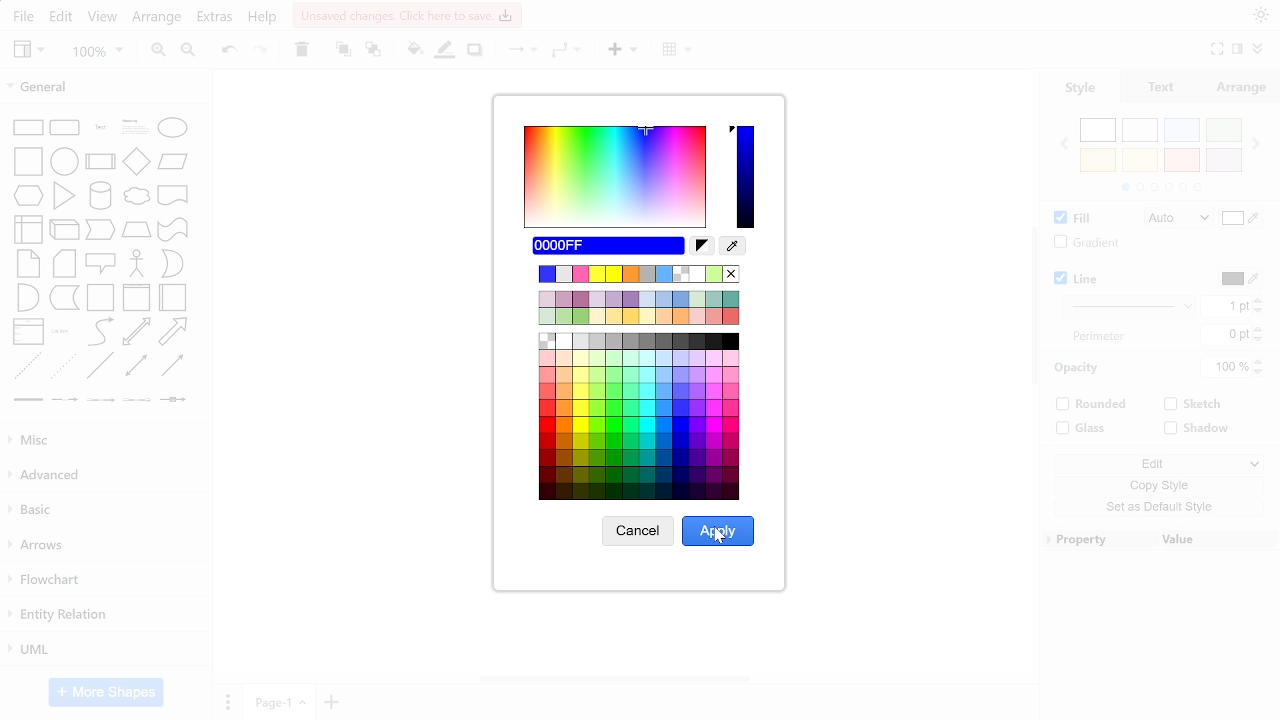  I want to click on edit, so click(1156, 462).